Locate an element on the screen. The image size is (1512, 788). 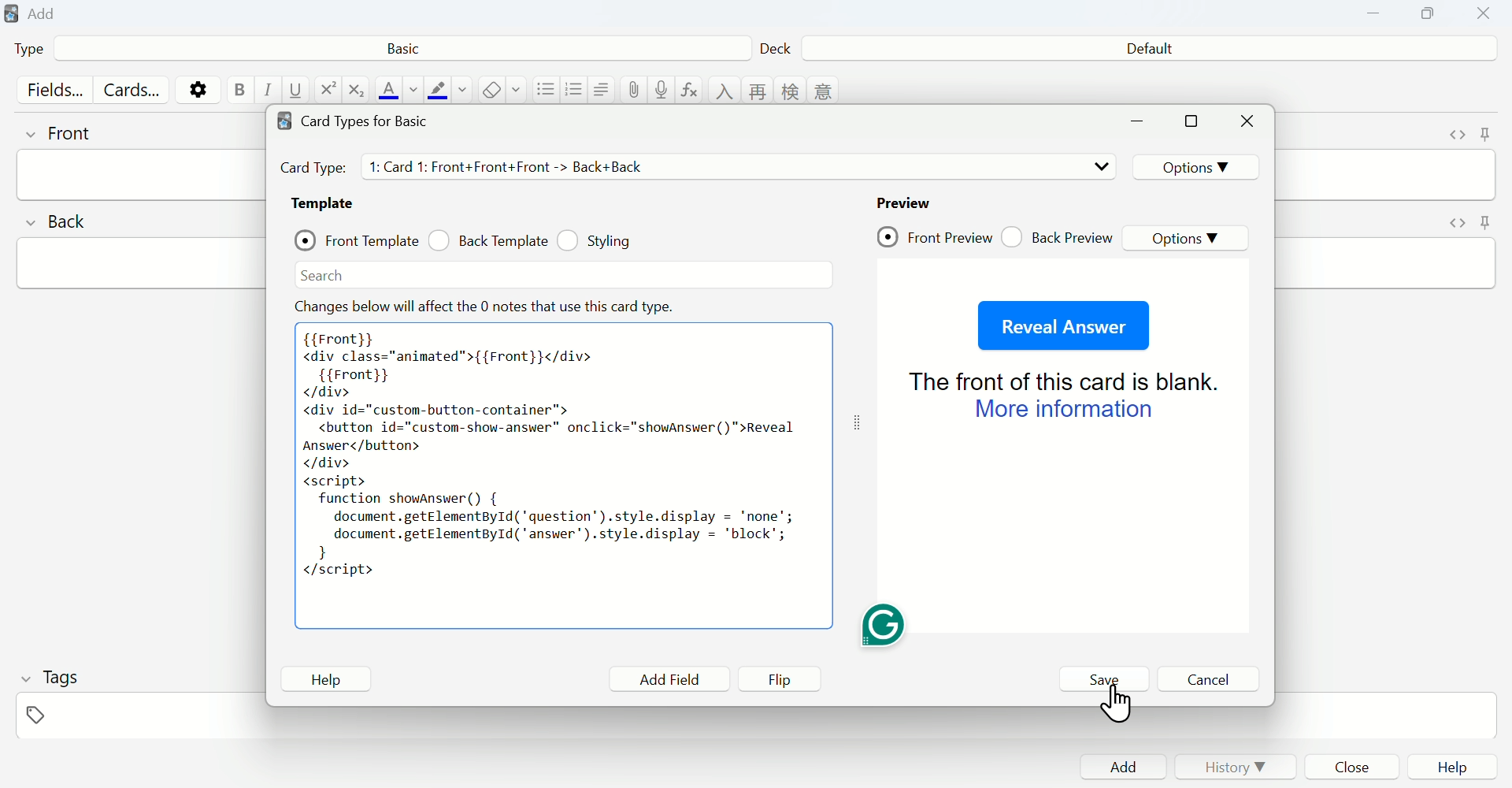
Tags is located at coordinates (59, 676).